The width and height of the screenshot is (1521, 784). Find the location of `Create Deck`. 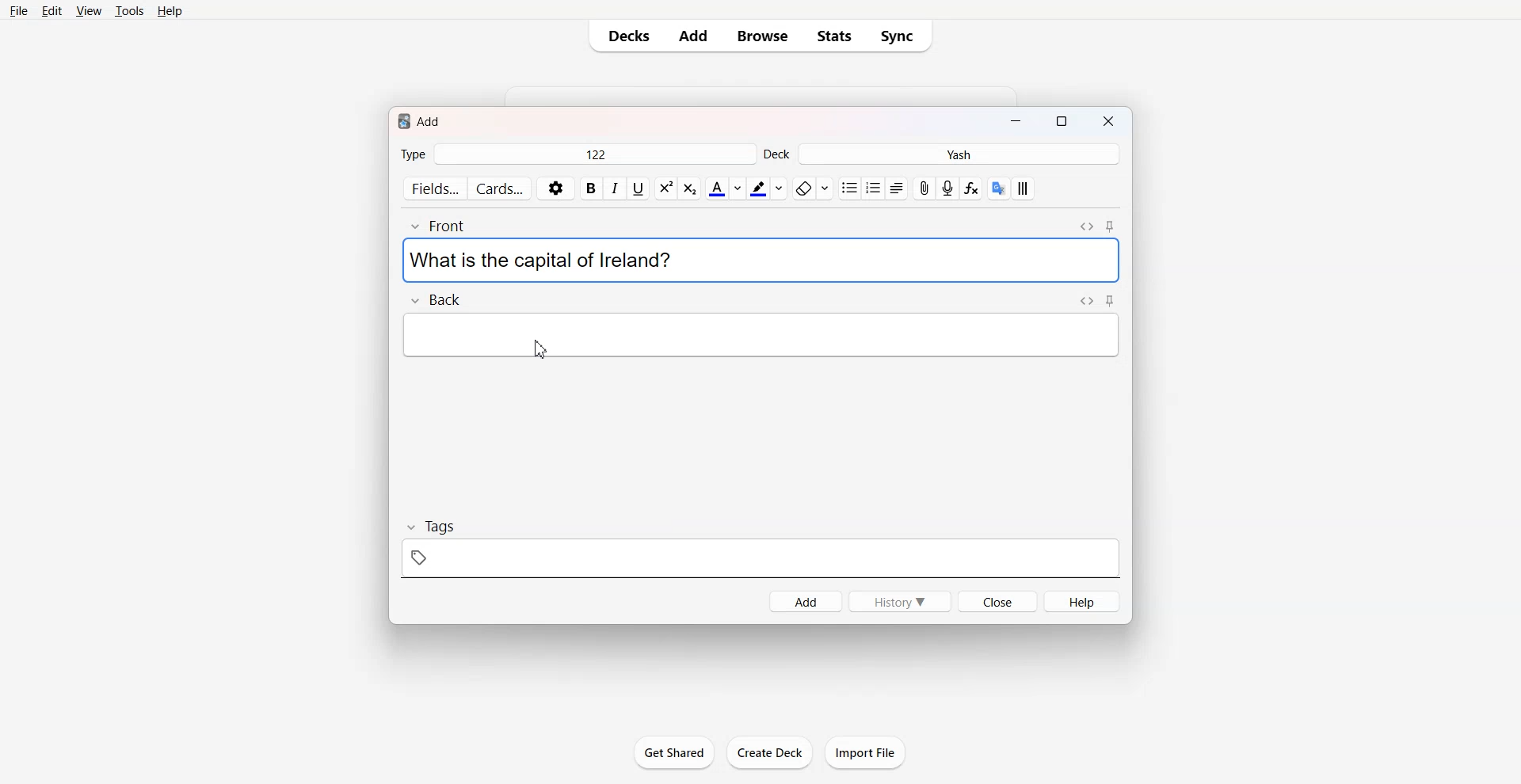

Create Deck is located at coordinates (769, 752).